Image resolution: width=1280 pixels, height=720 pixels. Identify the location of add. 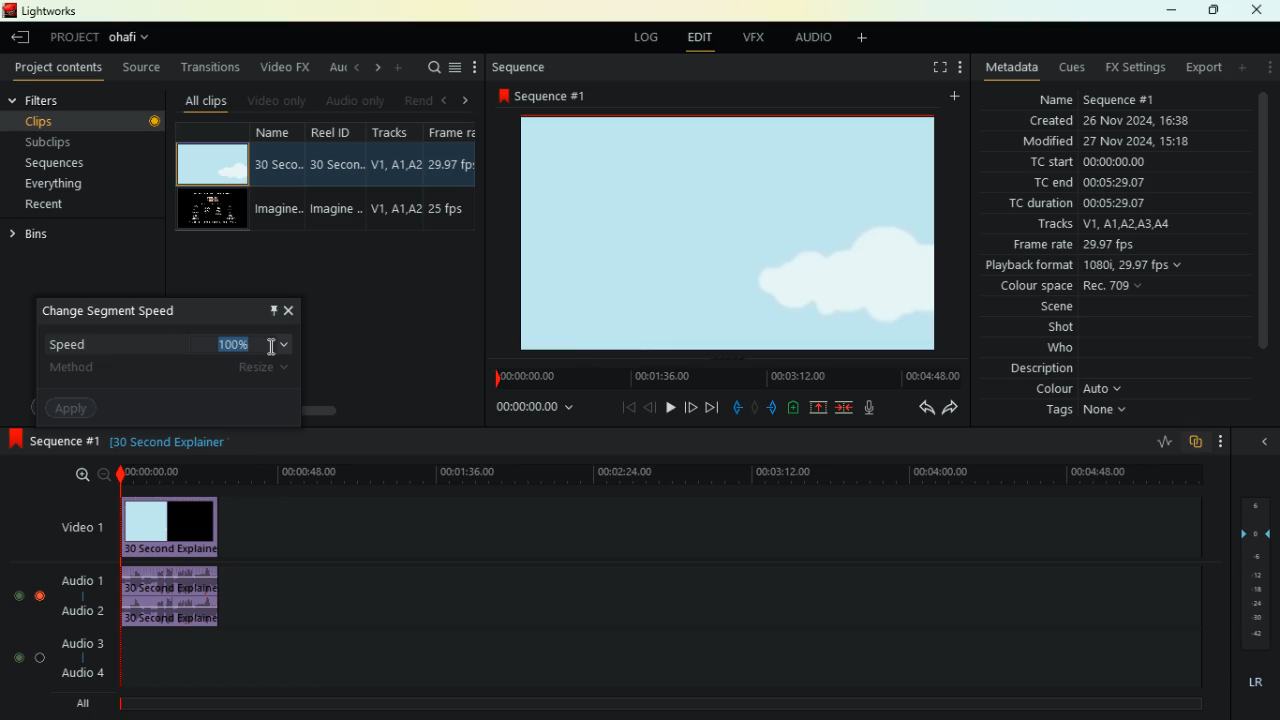
(869, 40).